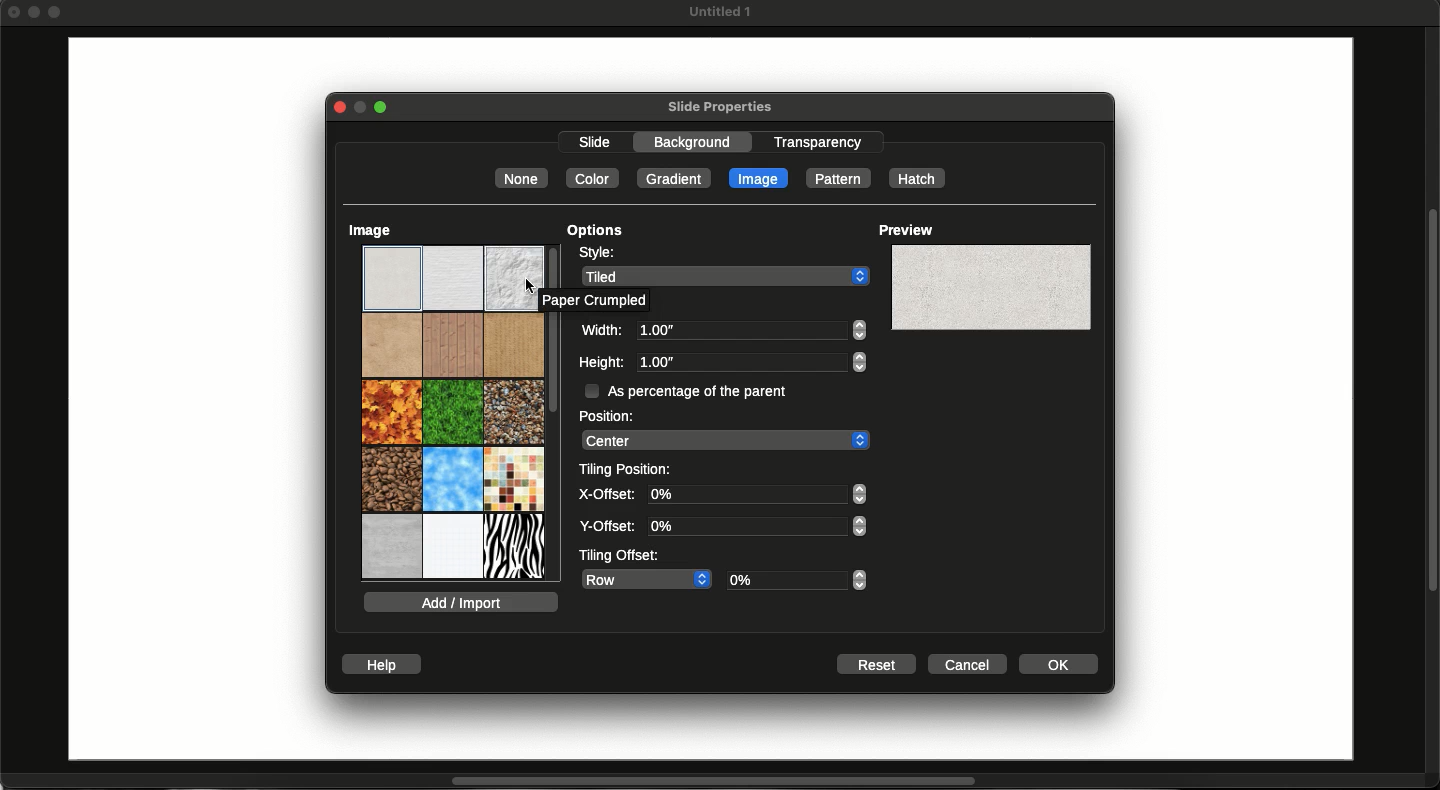 The width and height of the screenshot is (1440, 790). What do you see at coordinates (1431, 398) in the screenshot?
I see `vertical Scroll bar` at bounding box center [1431, 398].